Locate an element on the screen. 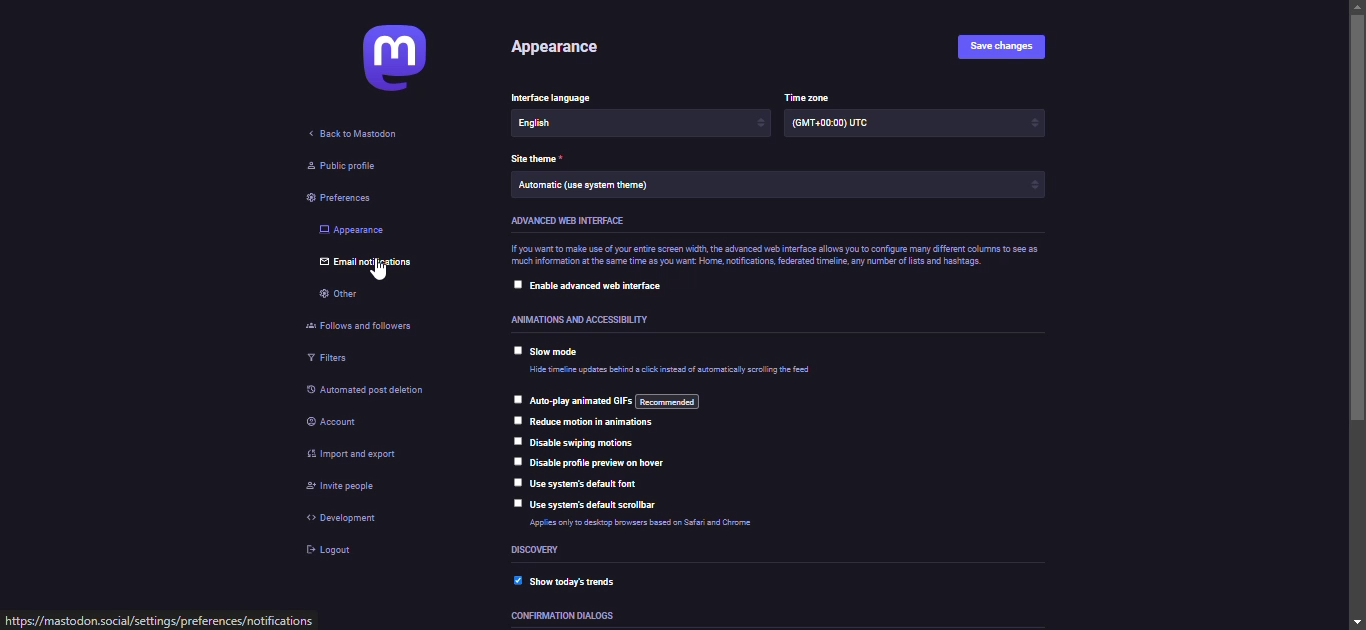  theme is located at coordinates (541, 160).